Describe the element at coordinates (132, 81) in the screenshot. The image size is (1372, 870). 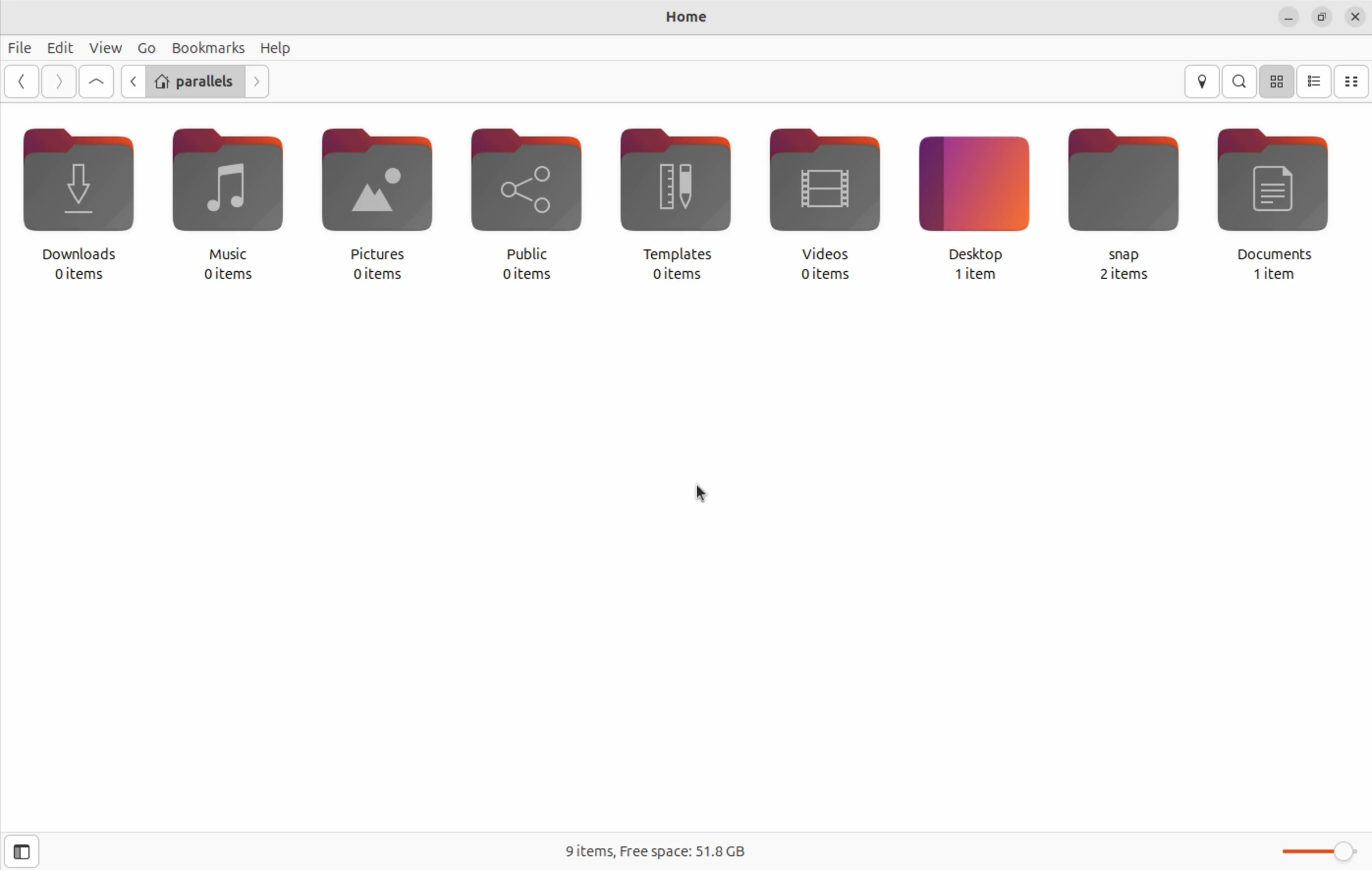
I see `backward` at that location.